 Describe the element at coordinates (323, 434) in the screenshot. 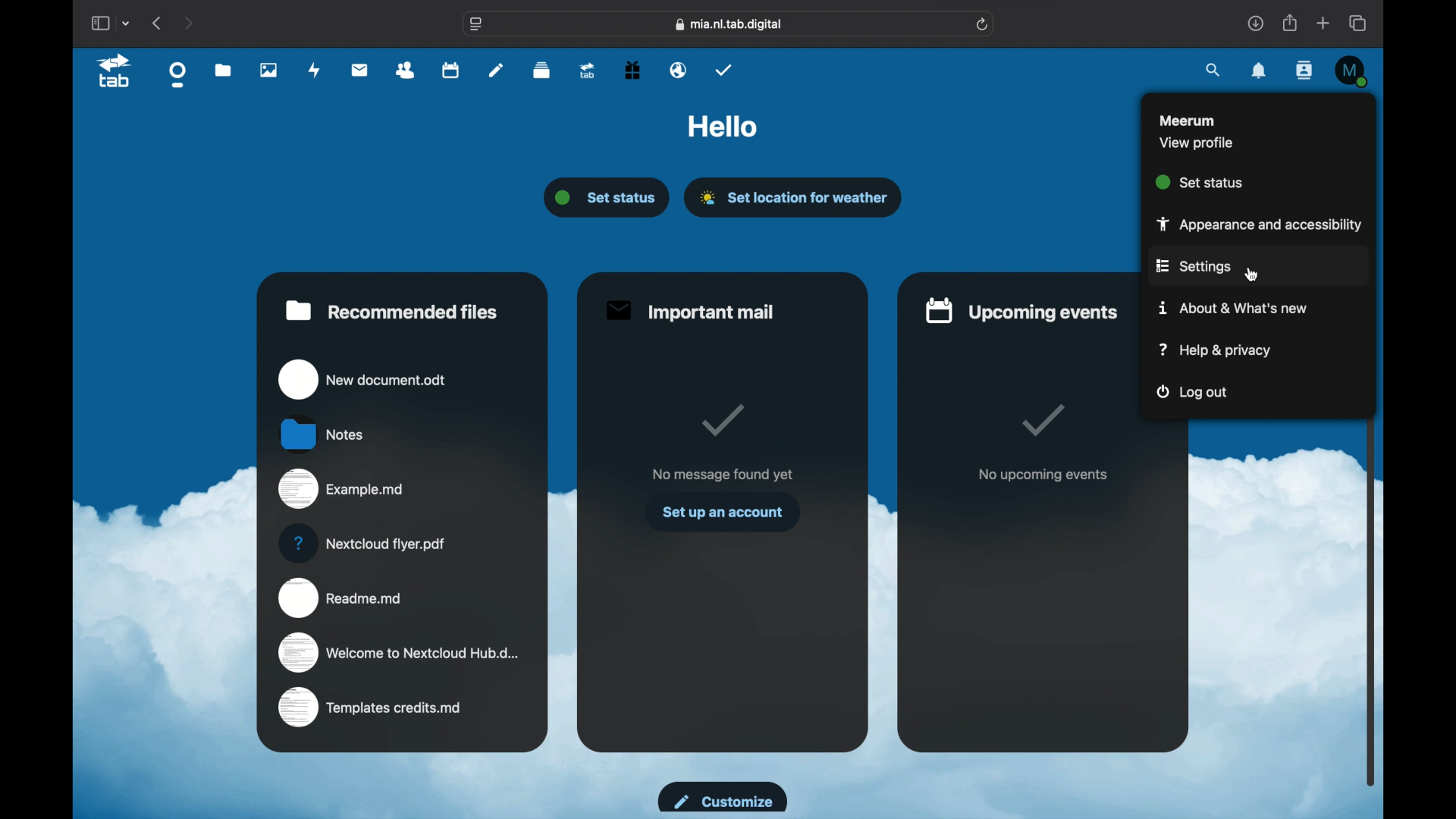

I see `notes` at that location.